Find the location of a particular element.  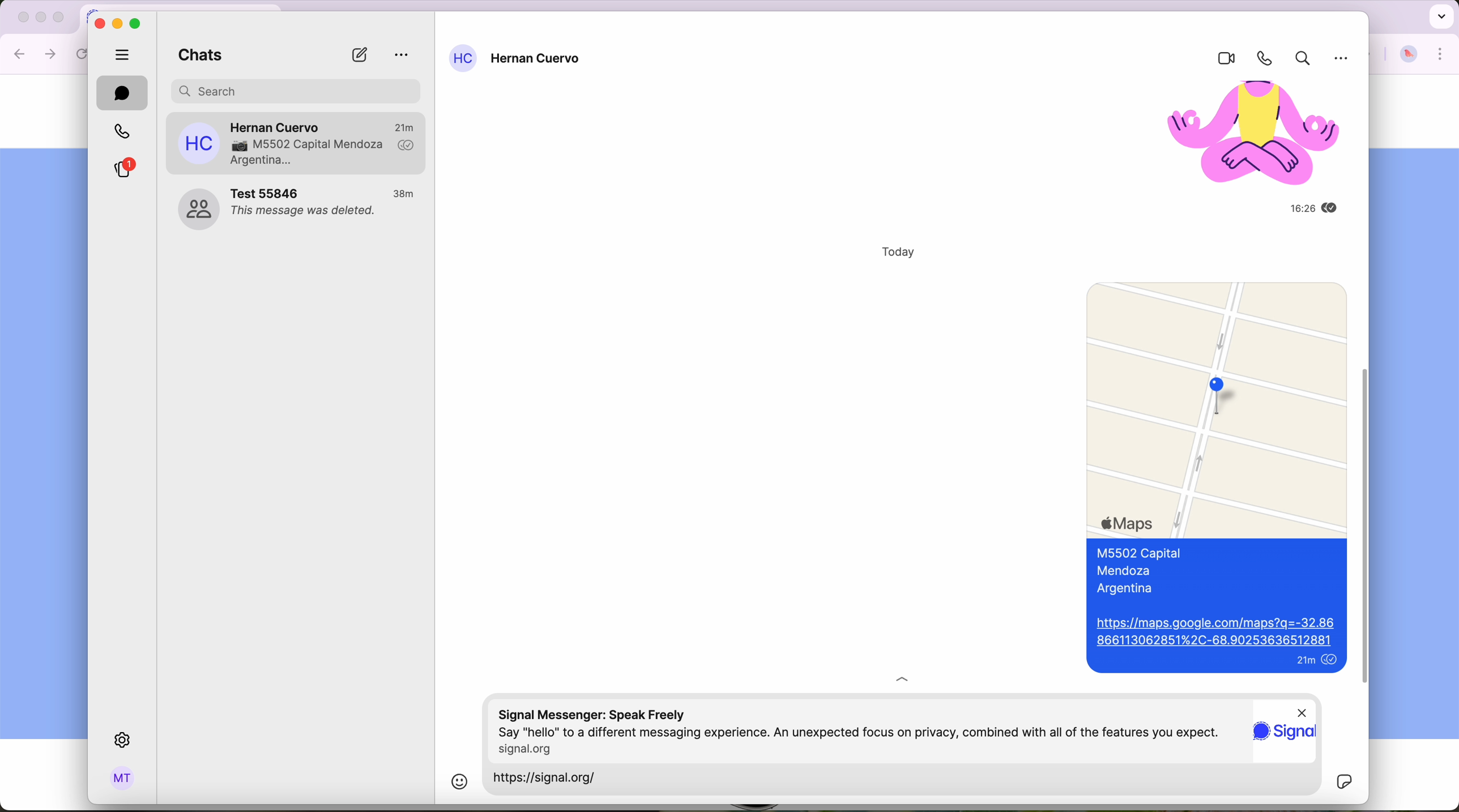

screen buttons is located at coordinates (39, 18).